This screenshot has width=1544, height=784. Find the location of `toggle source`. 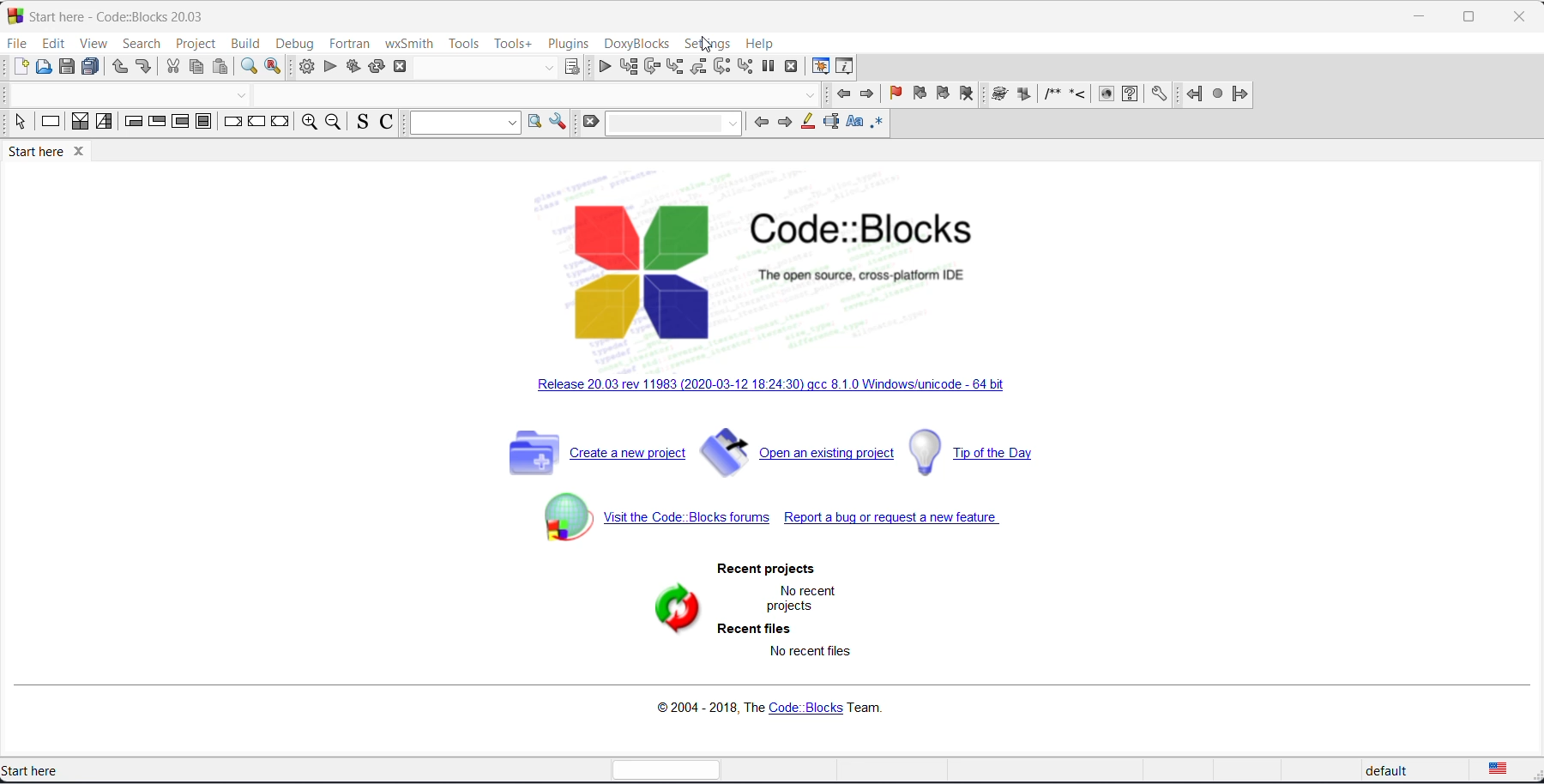

toggle source is located at coordinates (364, 122).